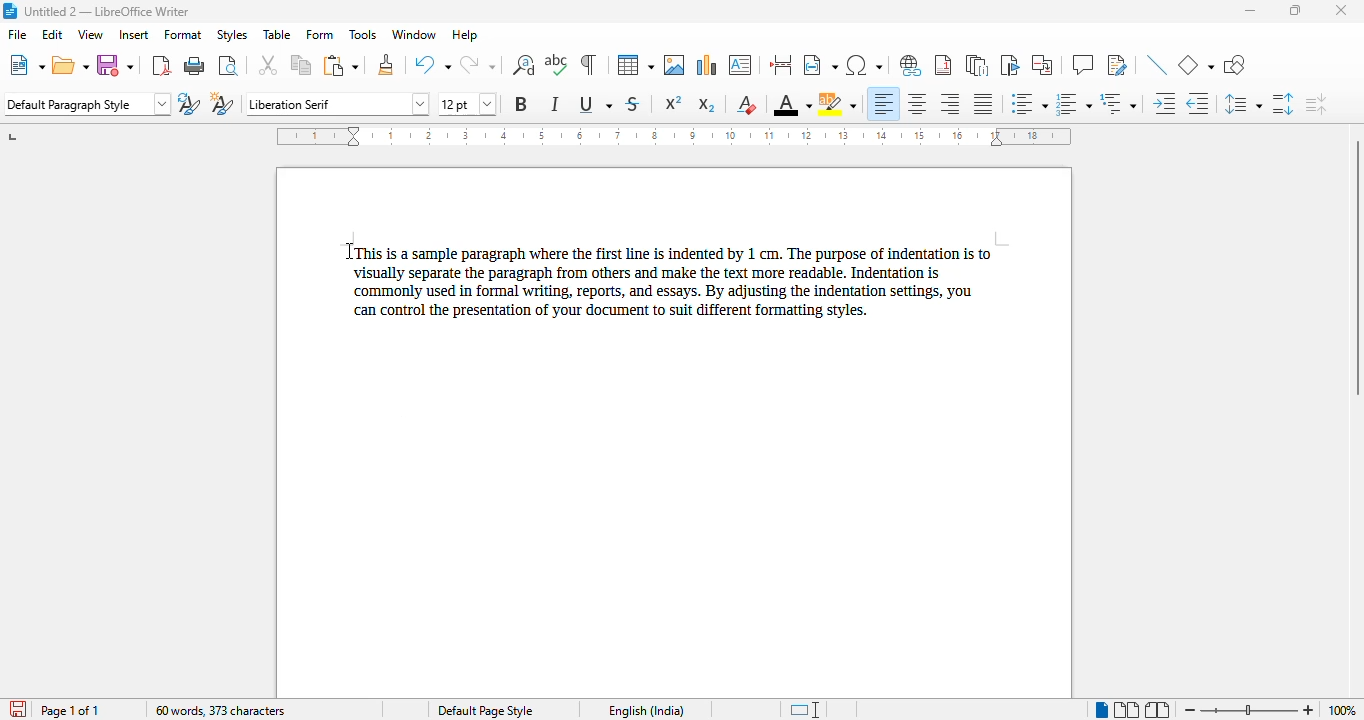 The height and width of the screenshot is (720, 1364). What do you see at coordinates (118, 65) in the screenshot?
I see `save` at bounding box center [118, 65].